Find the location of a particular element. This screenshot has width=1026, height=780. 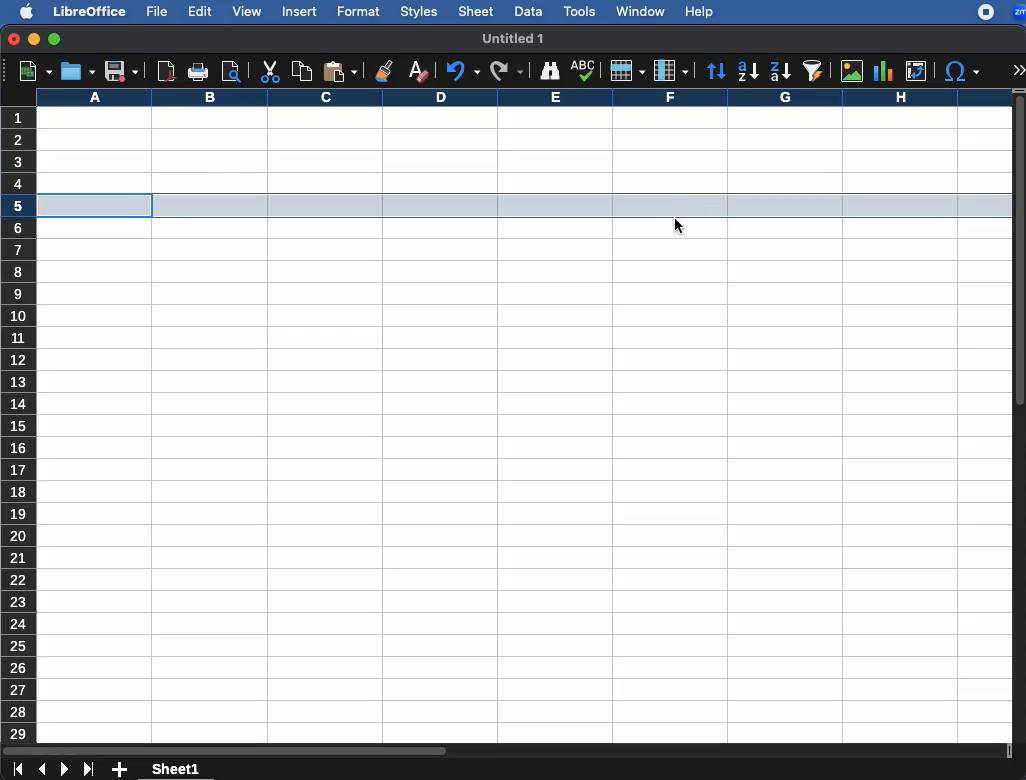

descending is located at coordinates (780, 71).